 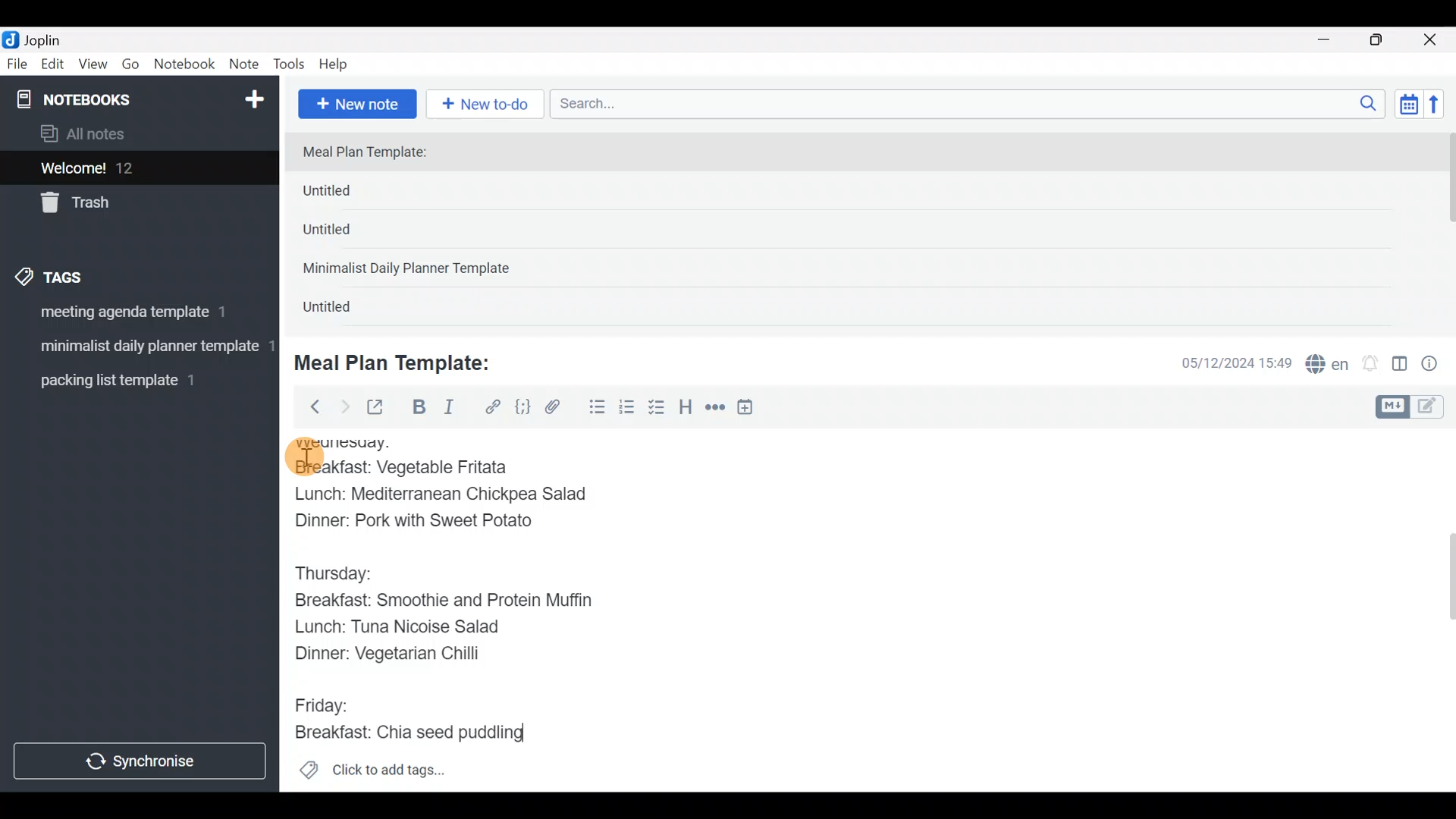 I want to click on Dinner: Pork with Sweet Potato, so click(x=431, y=521).